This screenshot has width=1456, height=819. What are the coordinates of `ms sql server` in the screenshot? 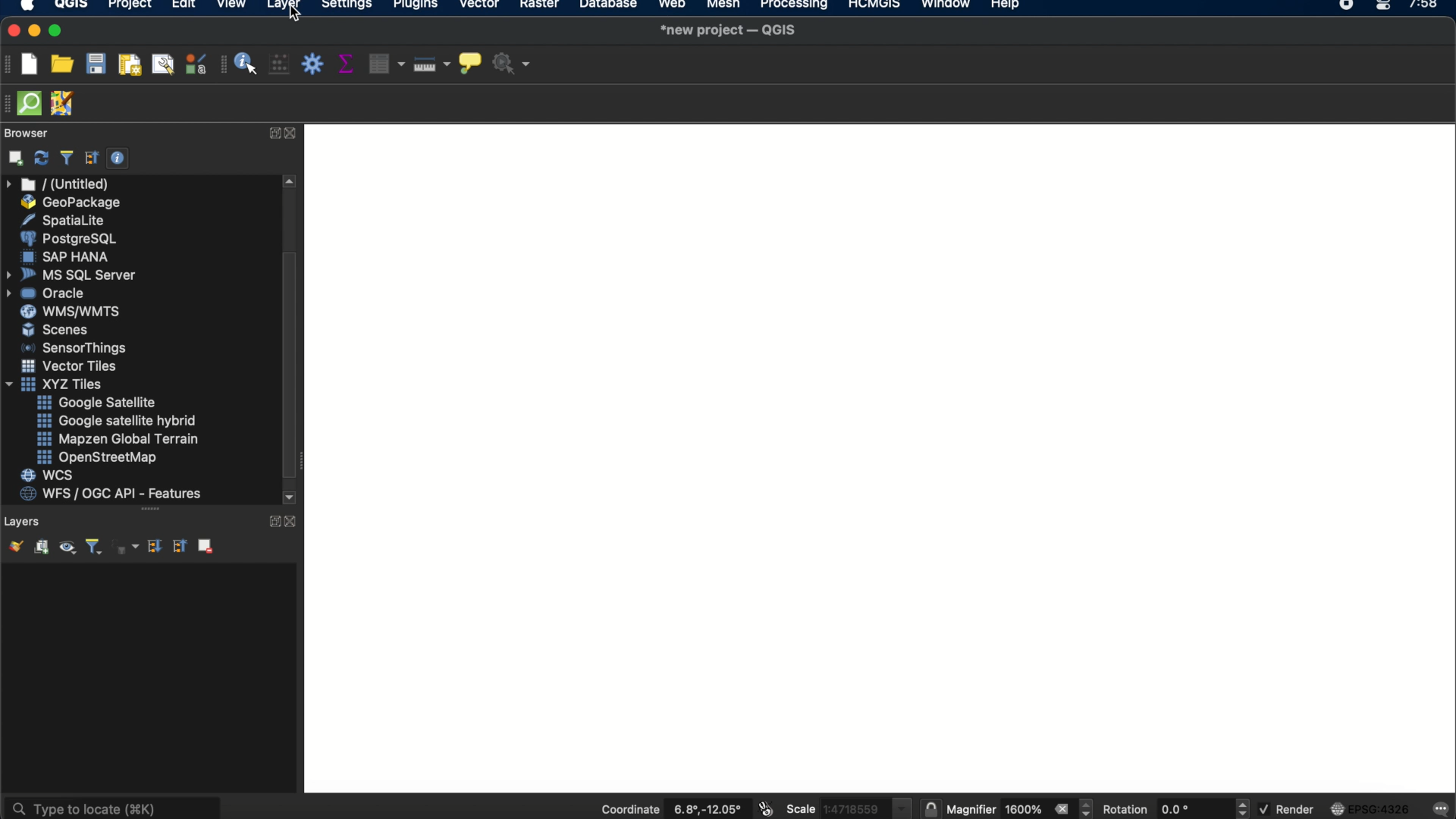 It's located at (74, 274).